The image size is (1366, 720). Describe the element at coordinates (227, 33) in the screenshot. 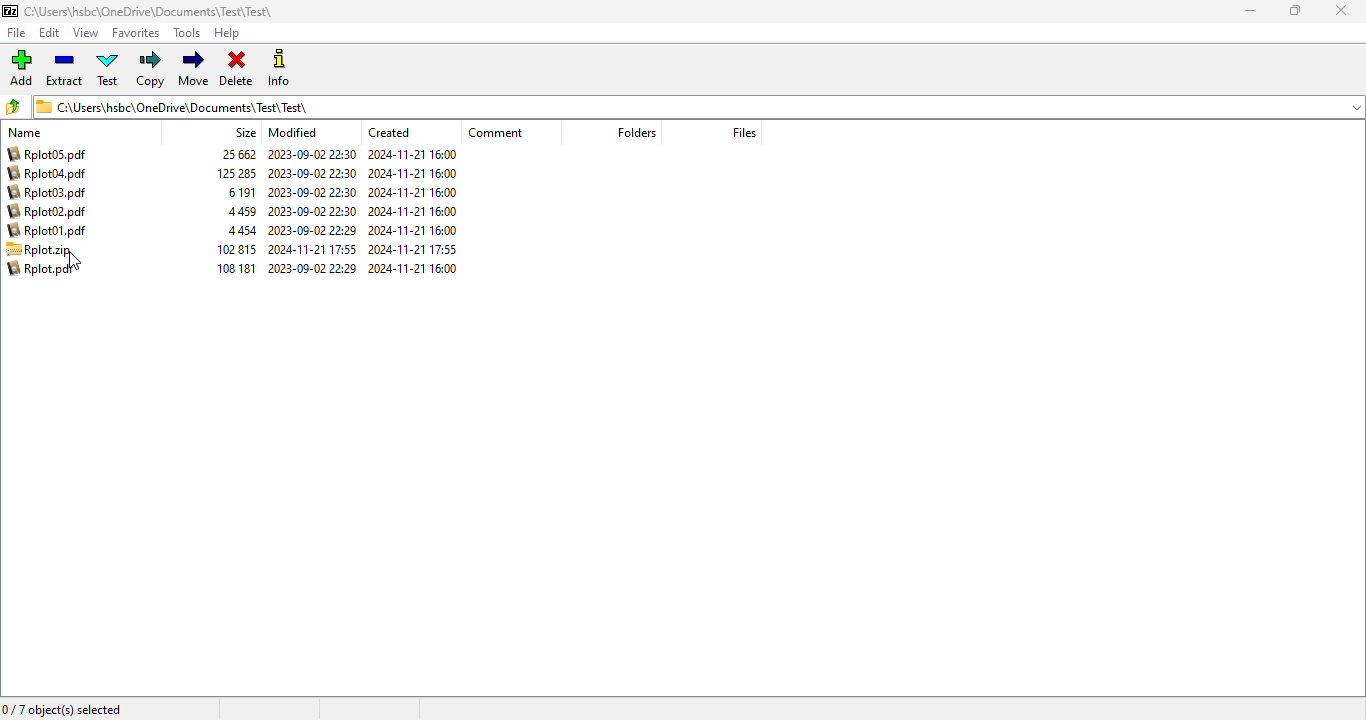

I see `help` at that location.